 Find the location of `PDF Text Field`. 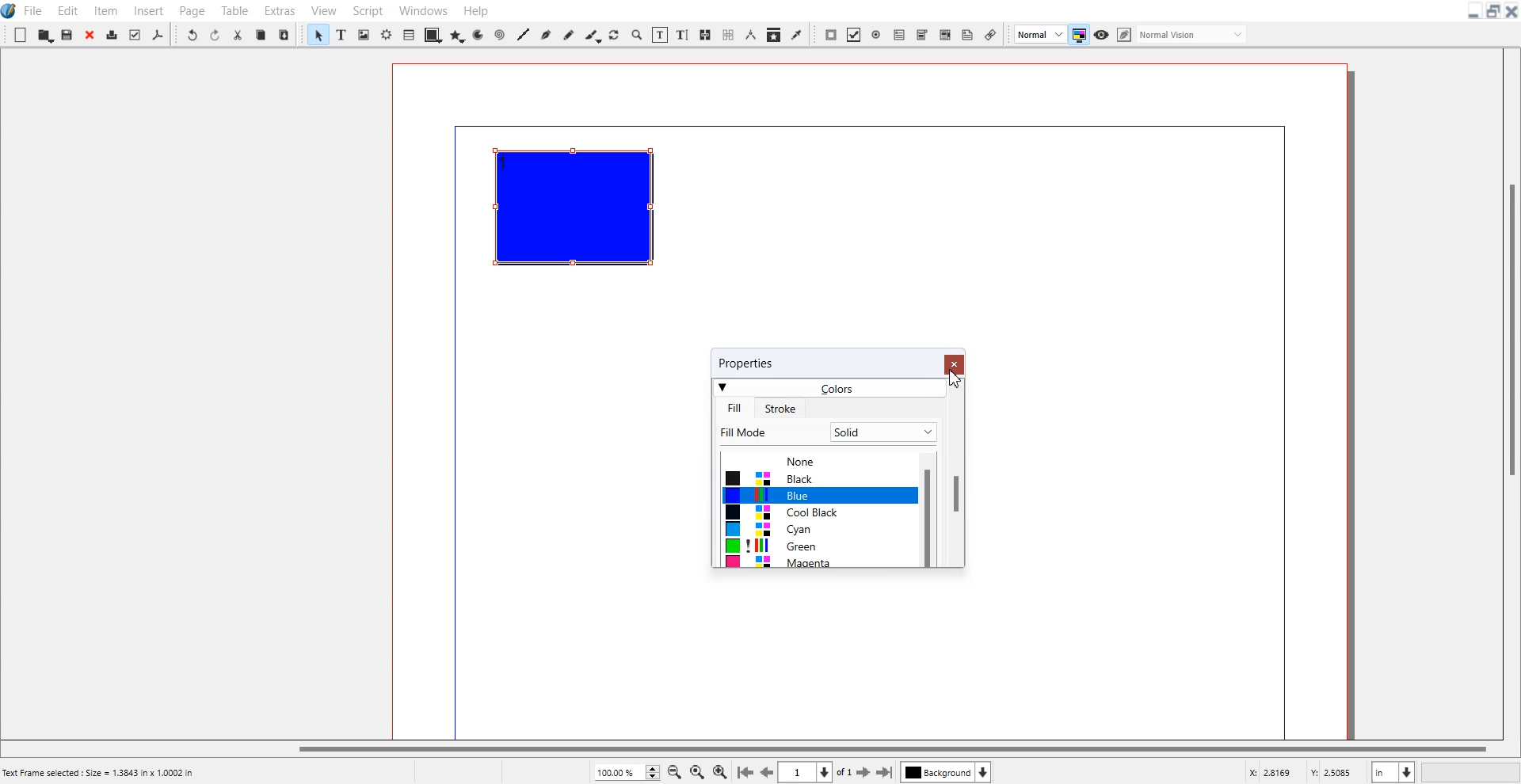

PDF Text Field is located at coordinates (899, 34).